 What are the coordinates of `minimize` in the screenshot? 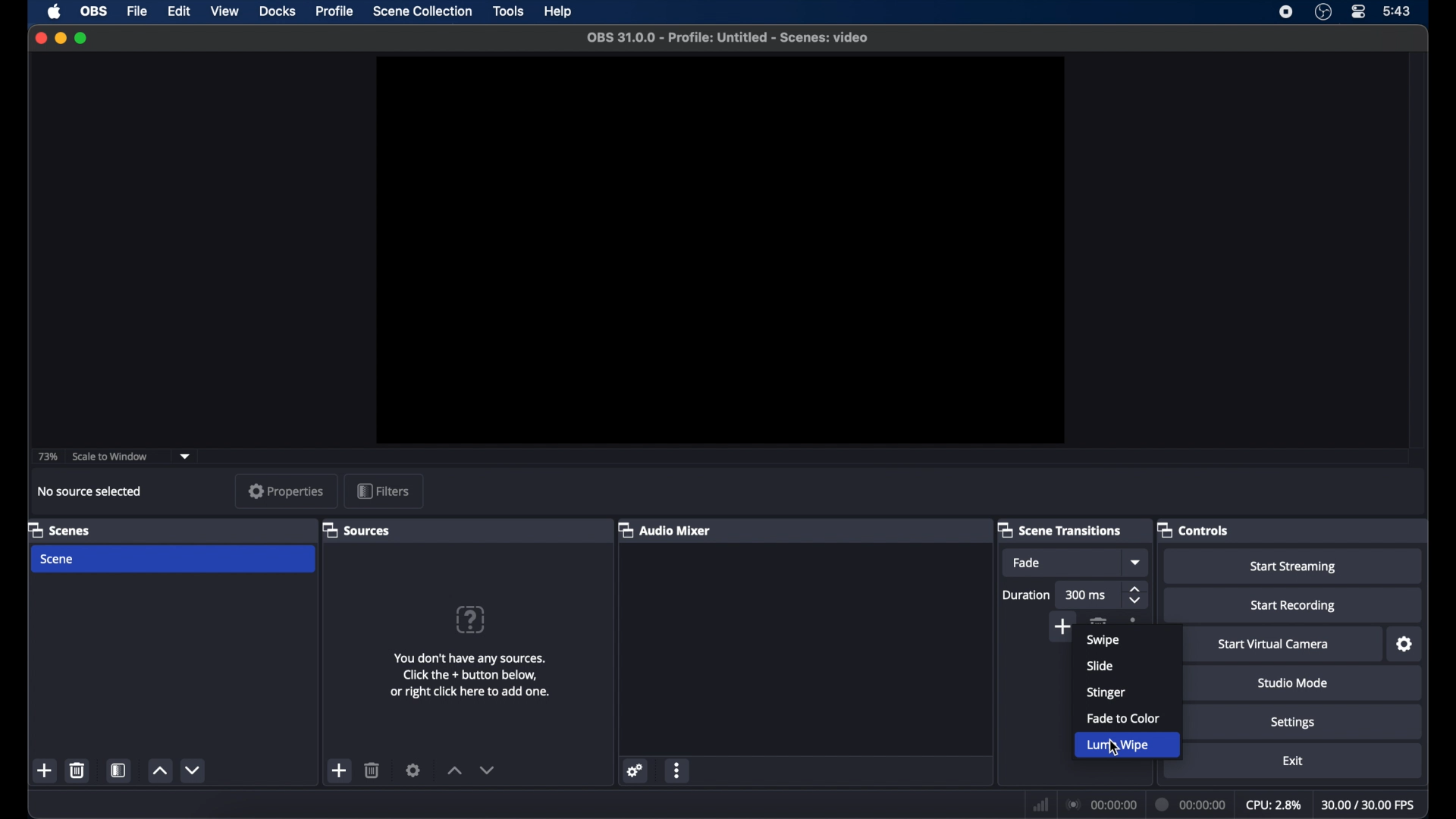 It's located at (61, 38).